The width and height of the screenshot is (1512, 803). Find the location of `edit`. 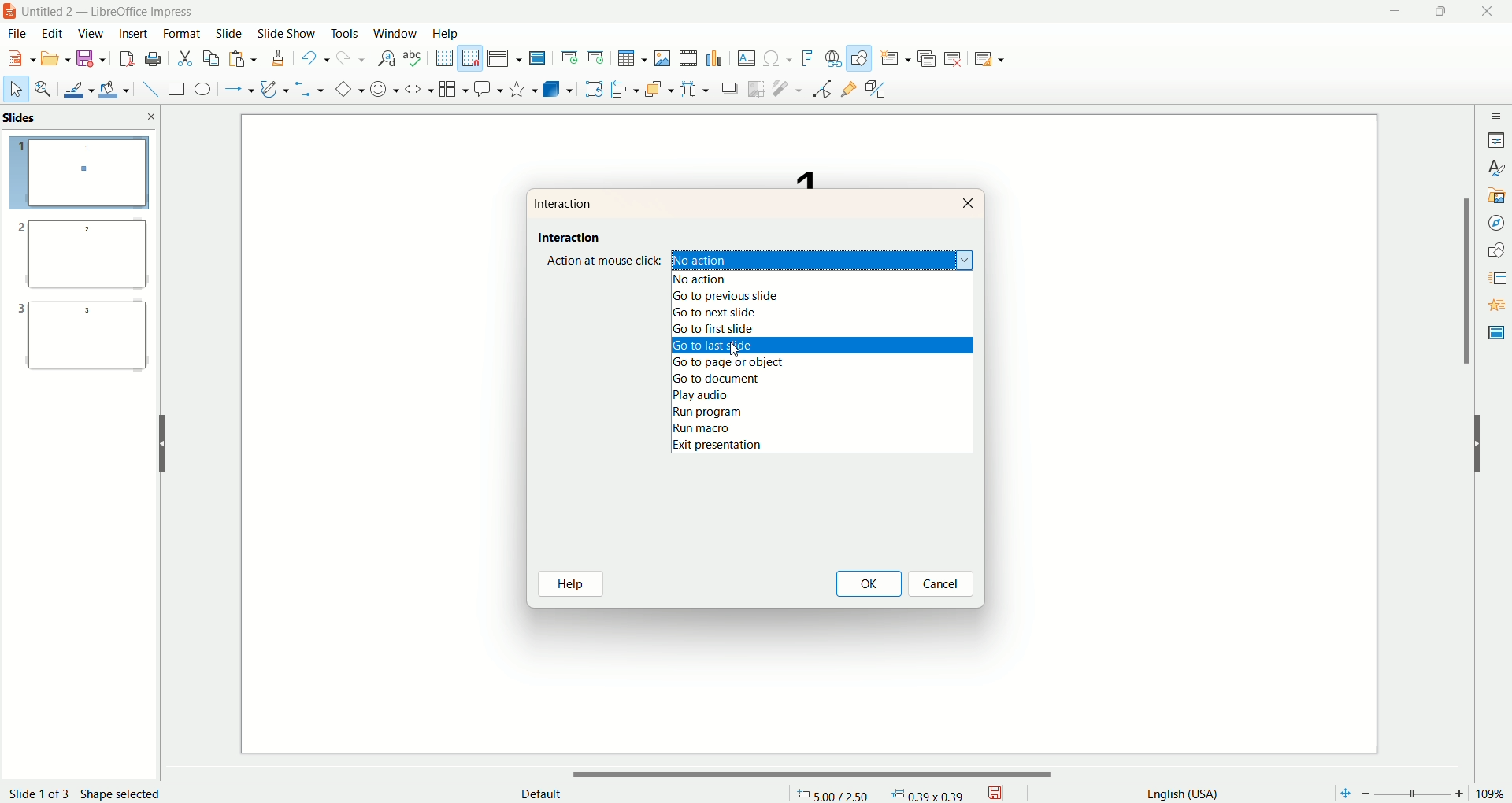

edit is located at coordinates (54, 34).